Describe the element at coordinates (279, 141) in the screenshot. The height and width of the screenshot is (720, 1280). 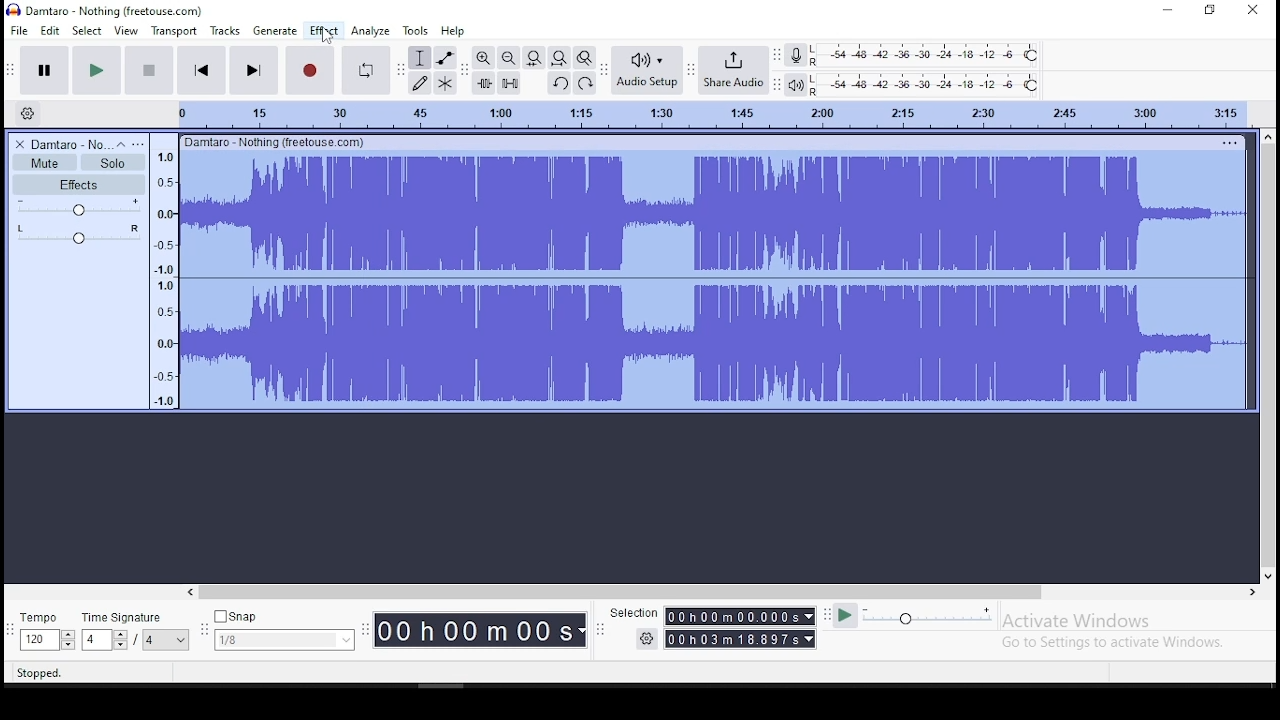
I see `` at that location.